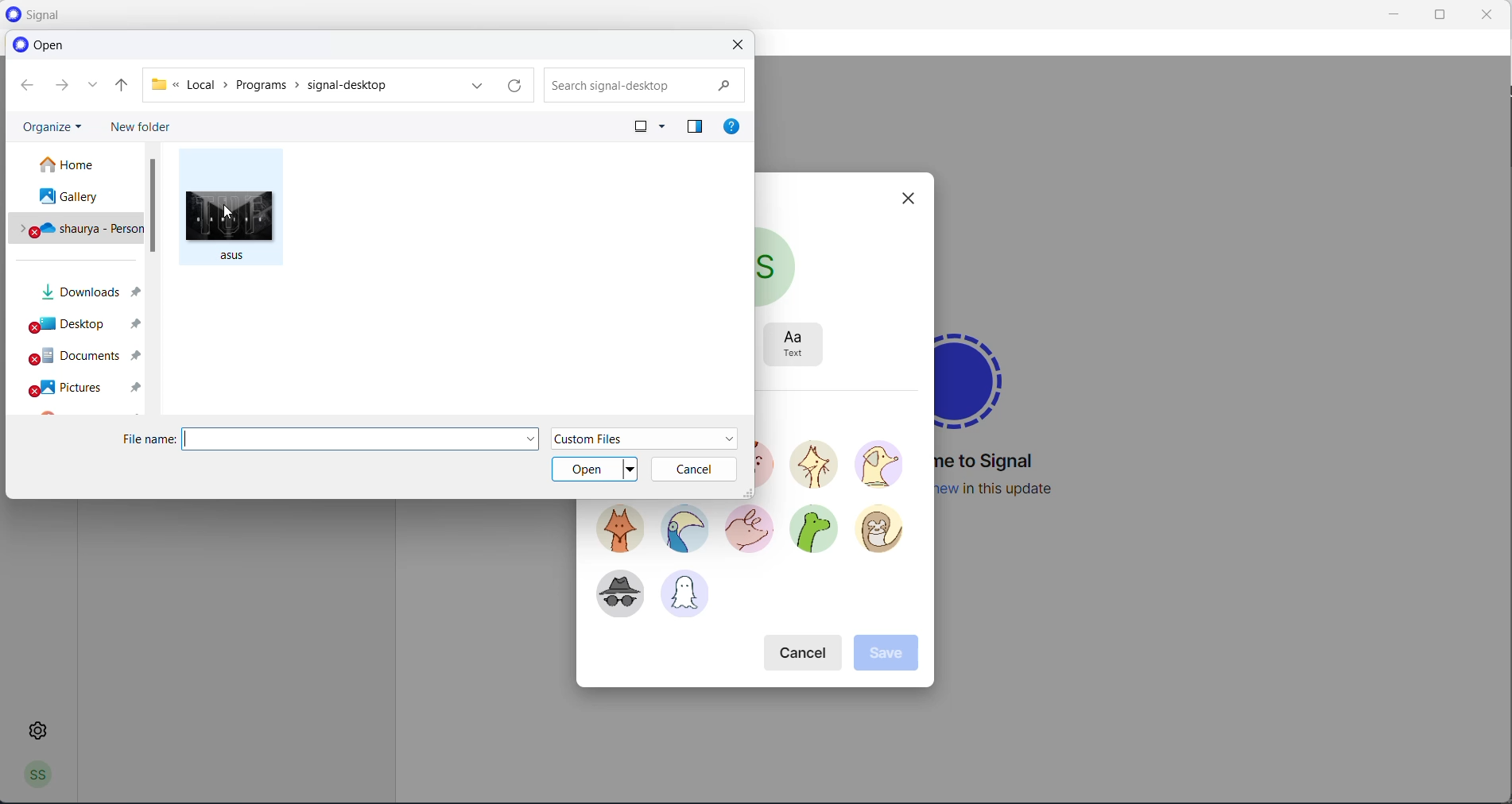 The width and height of the screenshot is (1512, 804). I want to click on file name textbox, so click(344, 439).